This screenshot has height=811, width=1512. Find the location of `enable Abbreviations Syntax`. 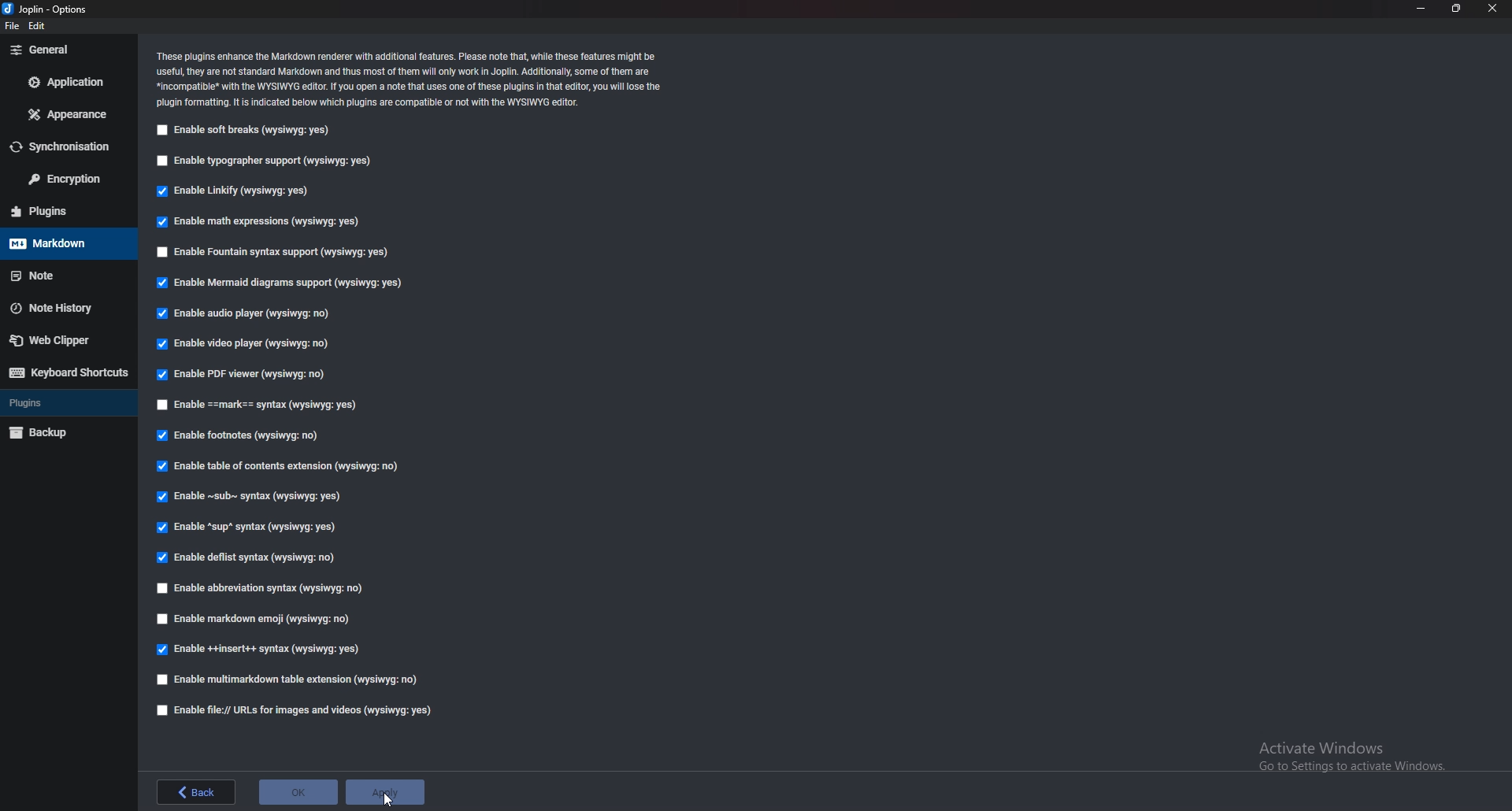

enable Abbreviations Syntax is located at coordinates (264, 588).